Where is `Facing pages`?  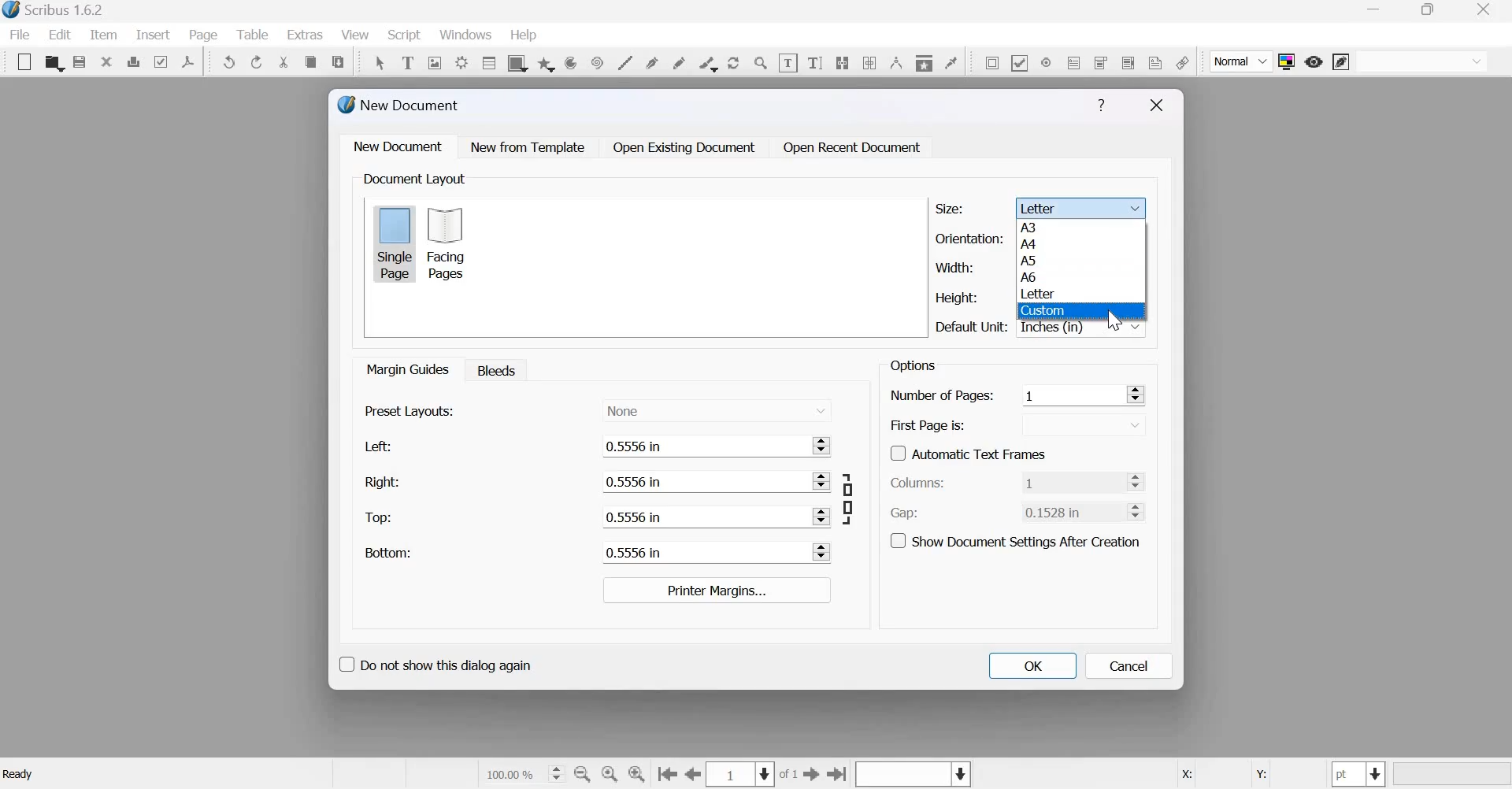 Facing pages is located at coordinates (450, 243).